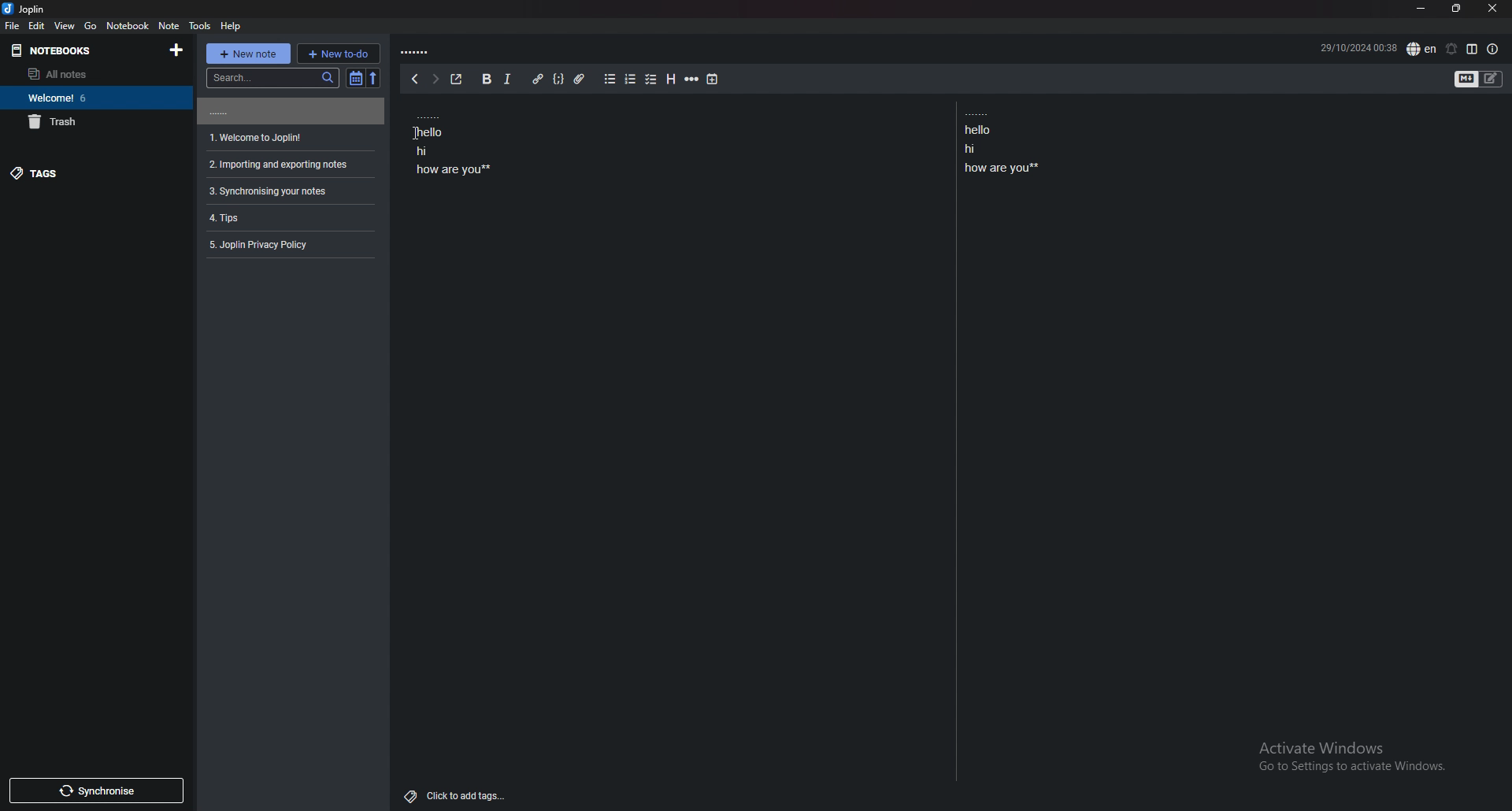  Describe the element at coordinates (559, 79) in the screenshot. I see `code` at that location.